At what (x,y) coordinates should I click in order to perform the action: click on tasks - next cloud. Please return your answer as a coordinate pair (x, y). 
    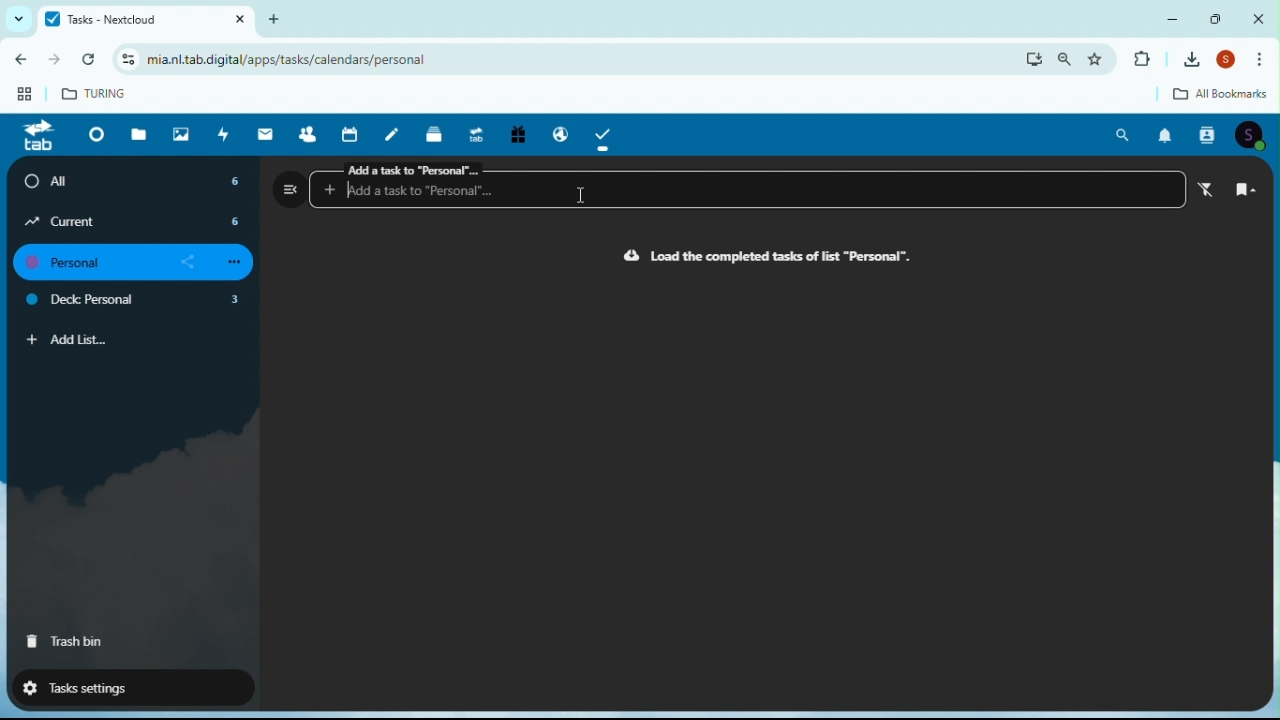
    Looking at the image, I should click on (143, 19).